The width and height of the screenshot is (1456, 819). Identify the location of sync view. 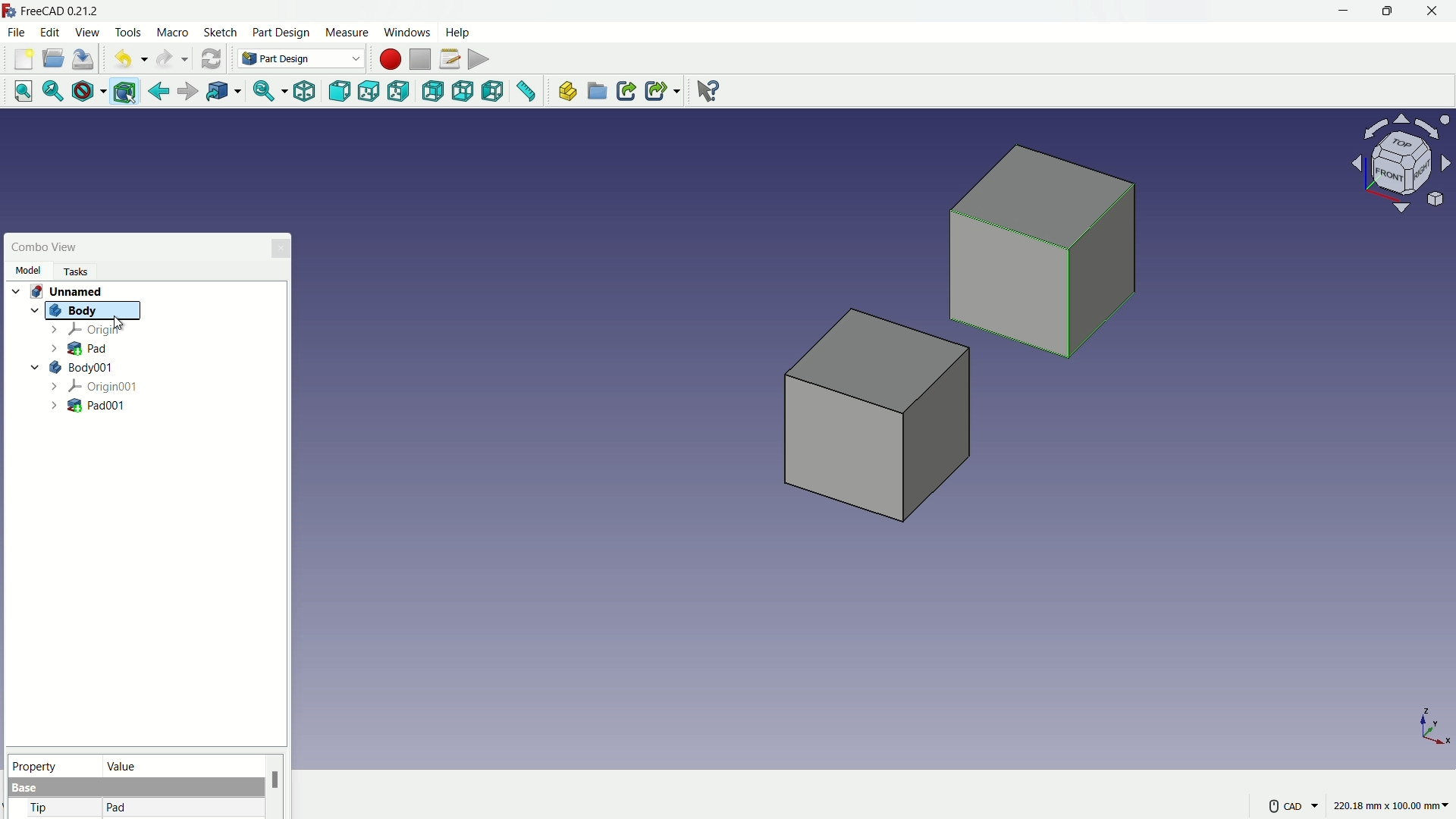
(263, 93).